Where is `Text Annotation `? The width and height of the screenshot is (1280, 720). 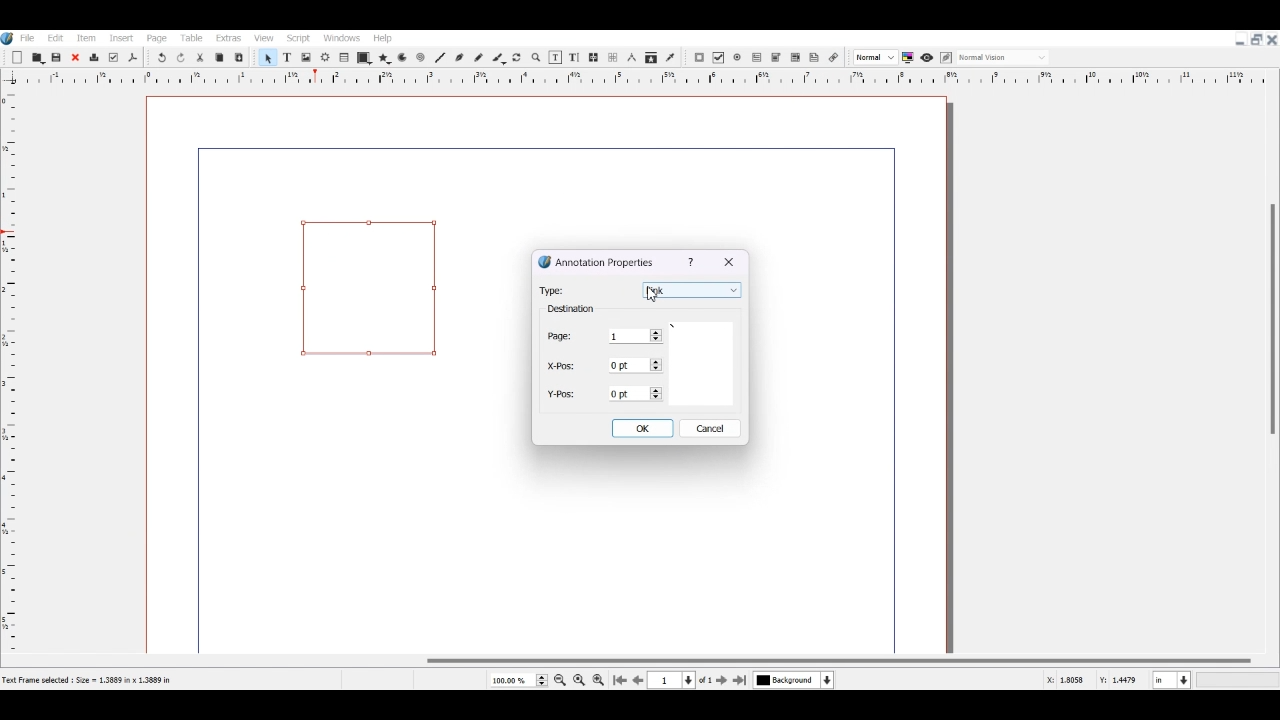 Text Annotation  is located at coordinates (815, 57).